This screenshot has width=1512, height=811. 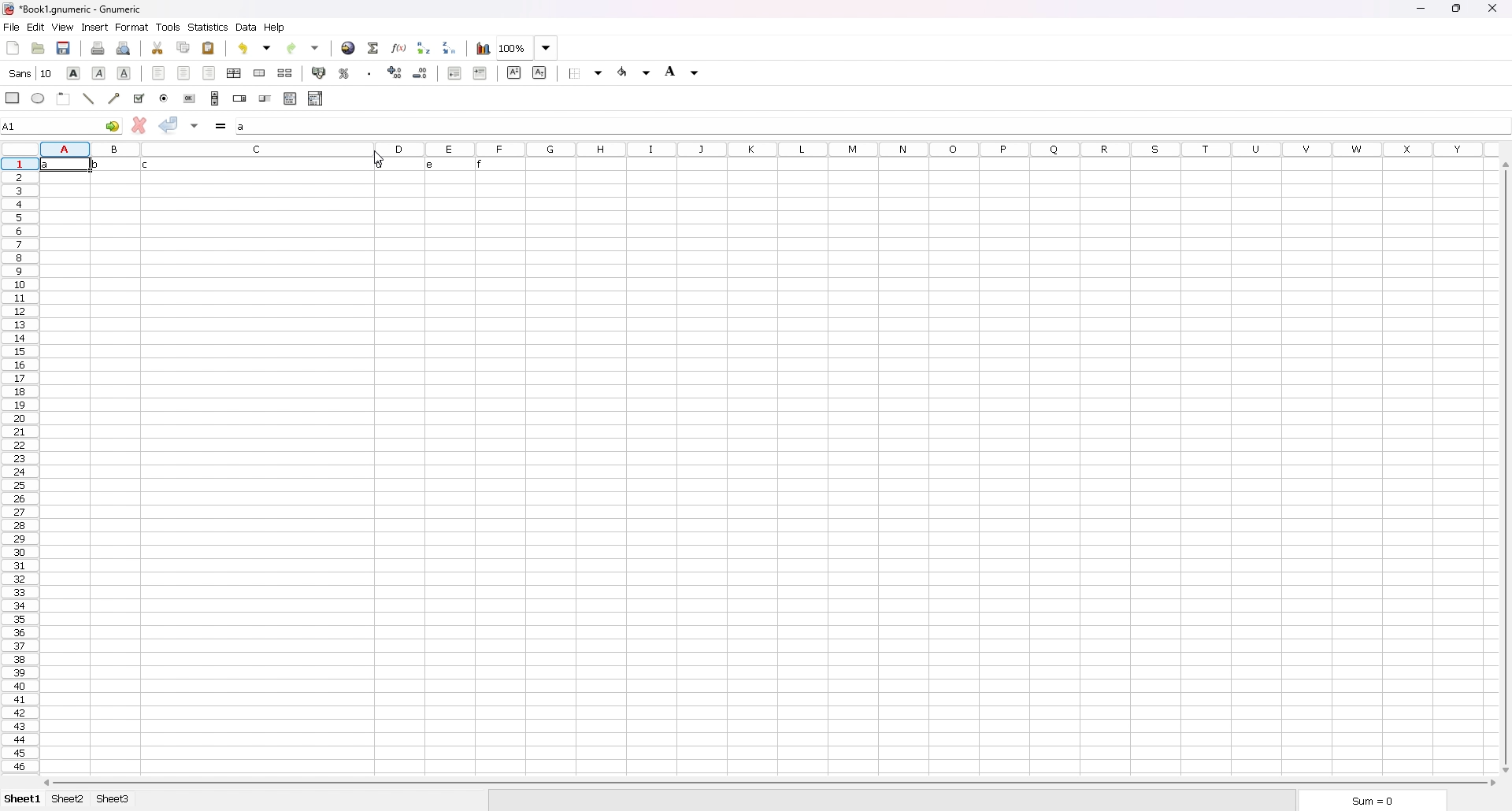 I want to click on redo, so click(x=305, y=48).